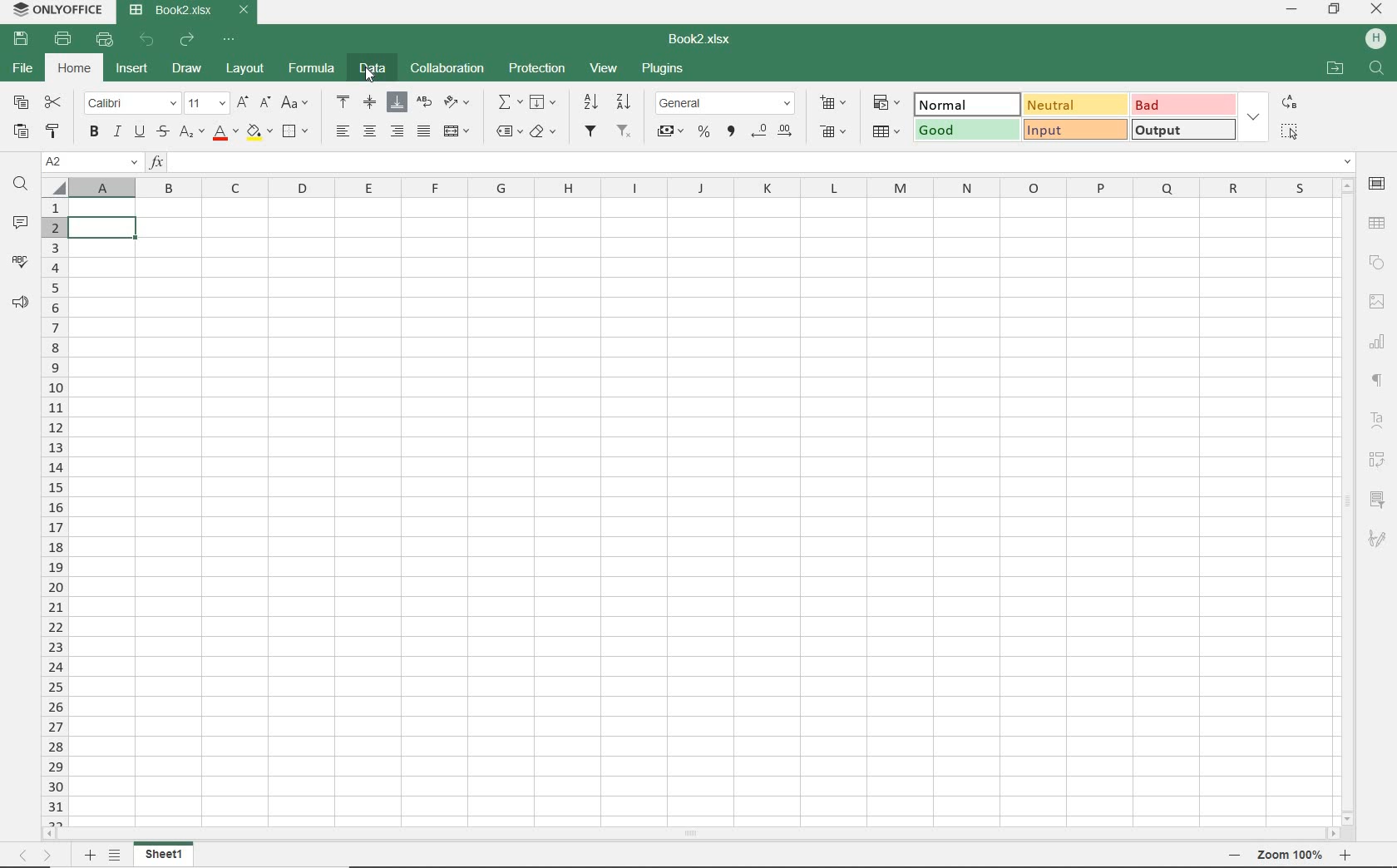 This screenshot has height=868, width=1397. I want to click on INSERT CELLS, so click(832, 103).